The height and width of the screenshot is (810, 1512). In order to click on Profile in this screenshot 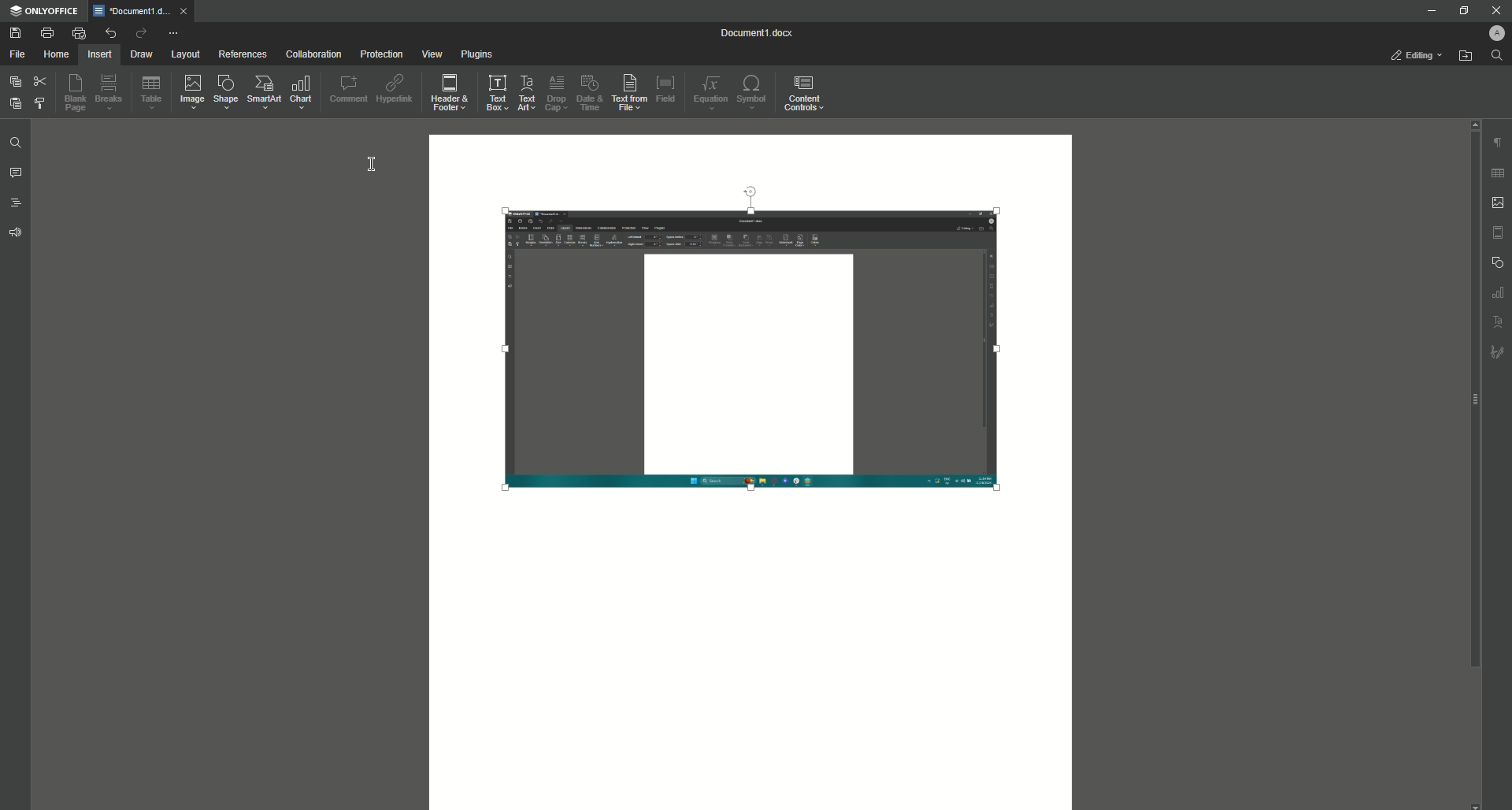, I will do `click(1495, 32)`.